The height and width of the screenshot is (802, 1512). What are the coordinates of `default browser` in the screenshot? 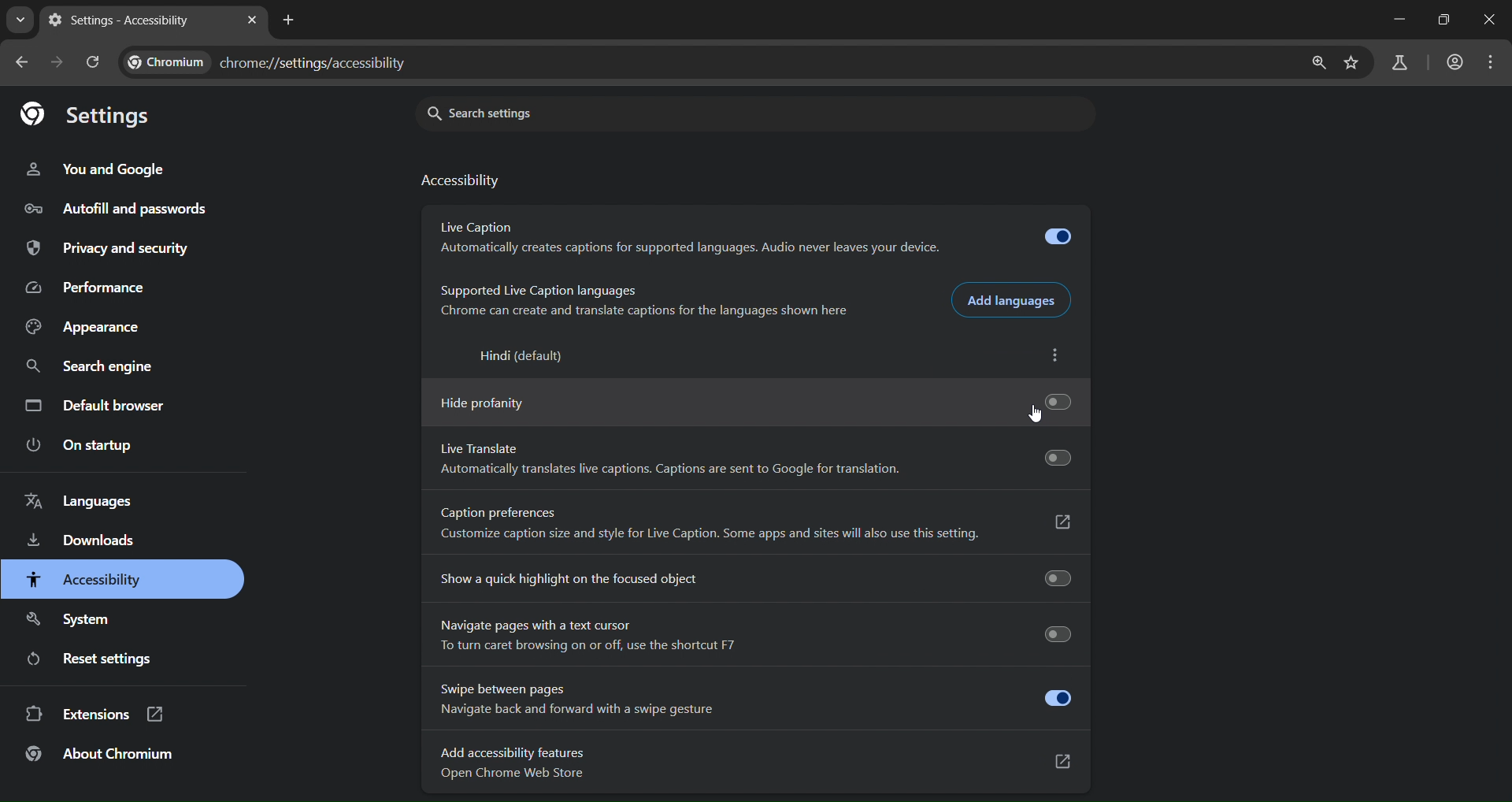 It's located at (98, 408).